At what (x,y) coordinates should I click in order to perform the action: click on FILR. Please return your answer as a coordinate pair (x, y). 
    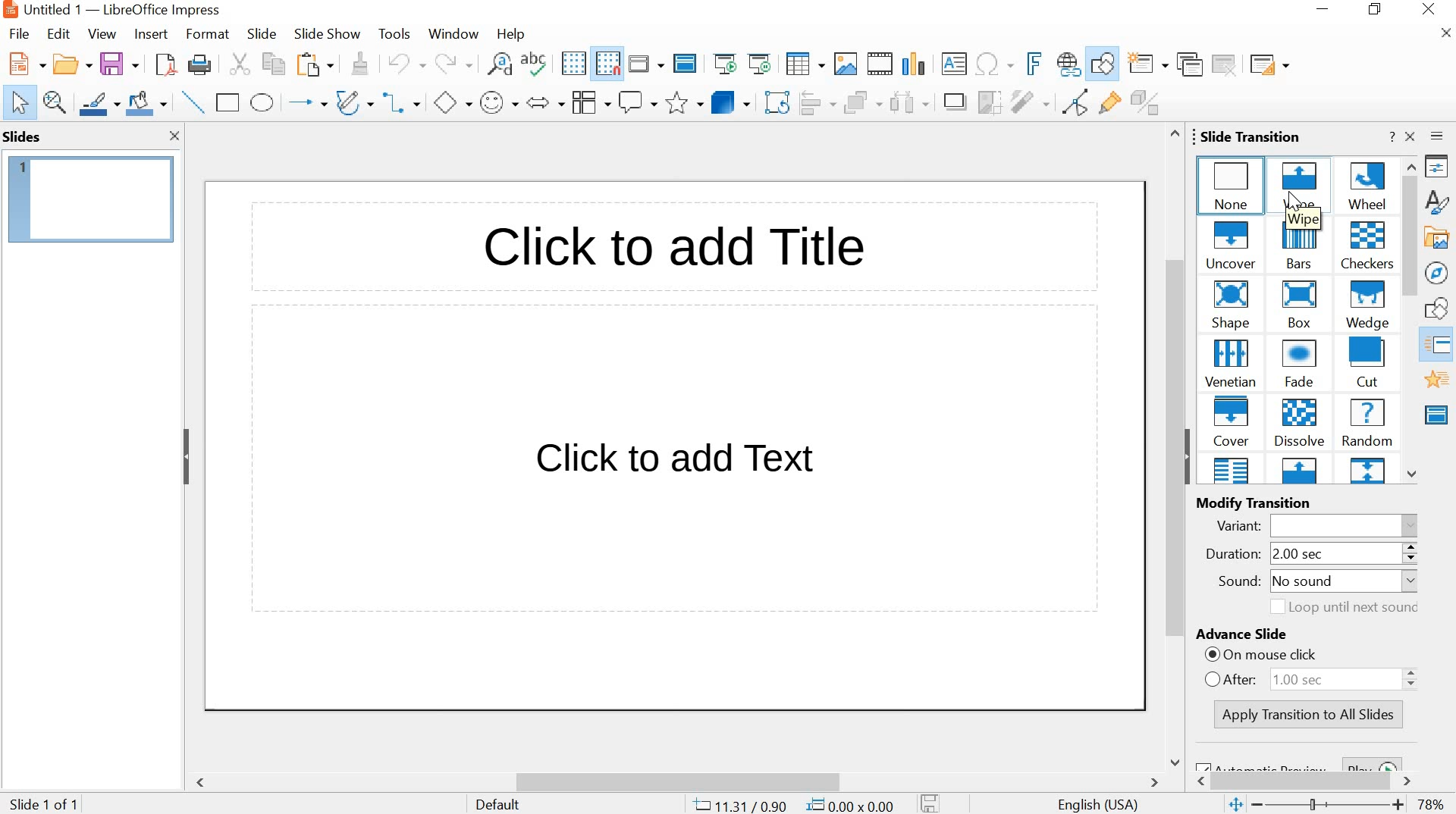
    Looking at the image, I should click on (21, 36).